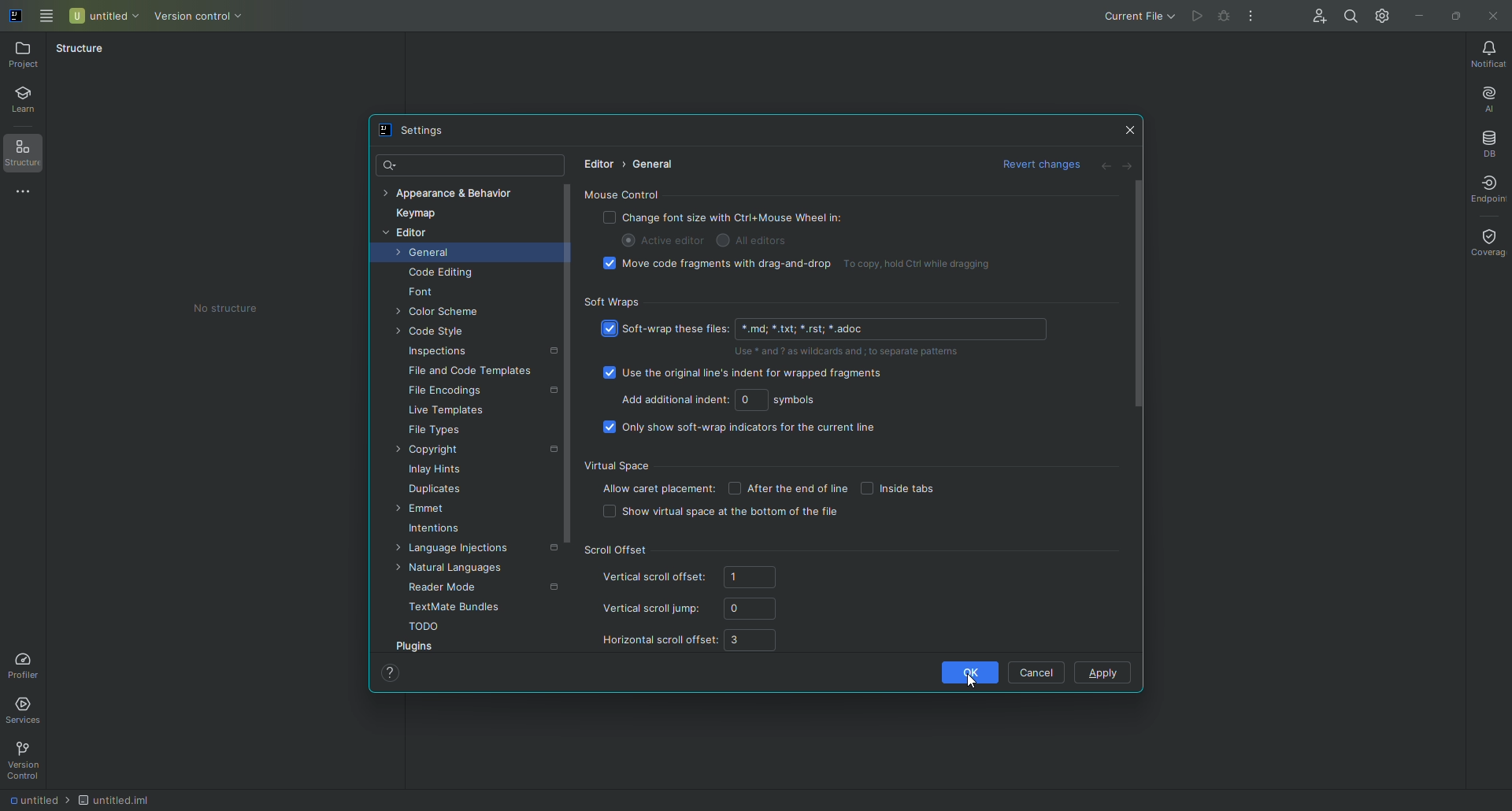 The width and height of the screenshot is (1512, 811). I want to click on Database, so click(1488, 141).